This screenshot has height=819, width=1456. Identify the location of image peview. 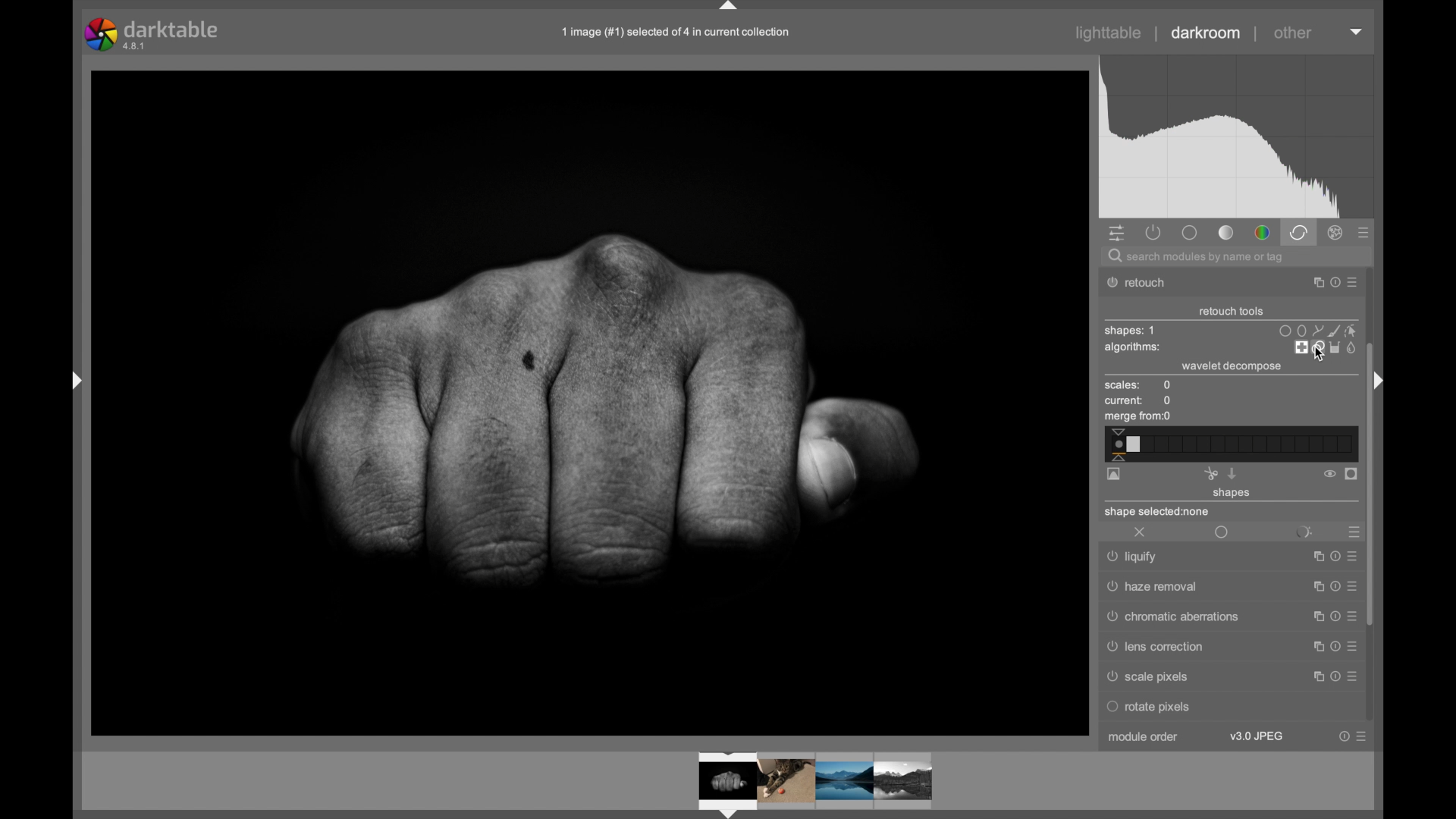
(800, 783).